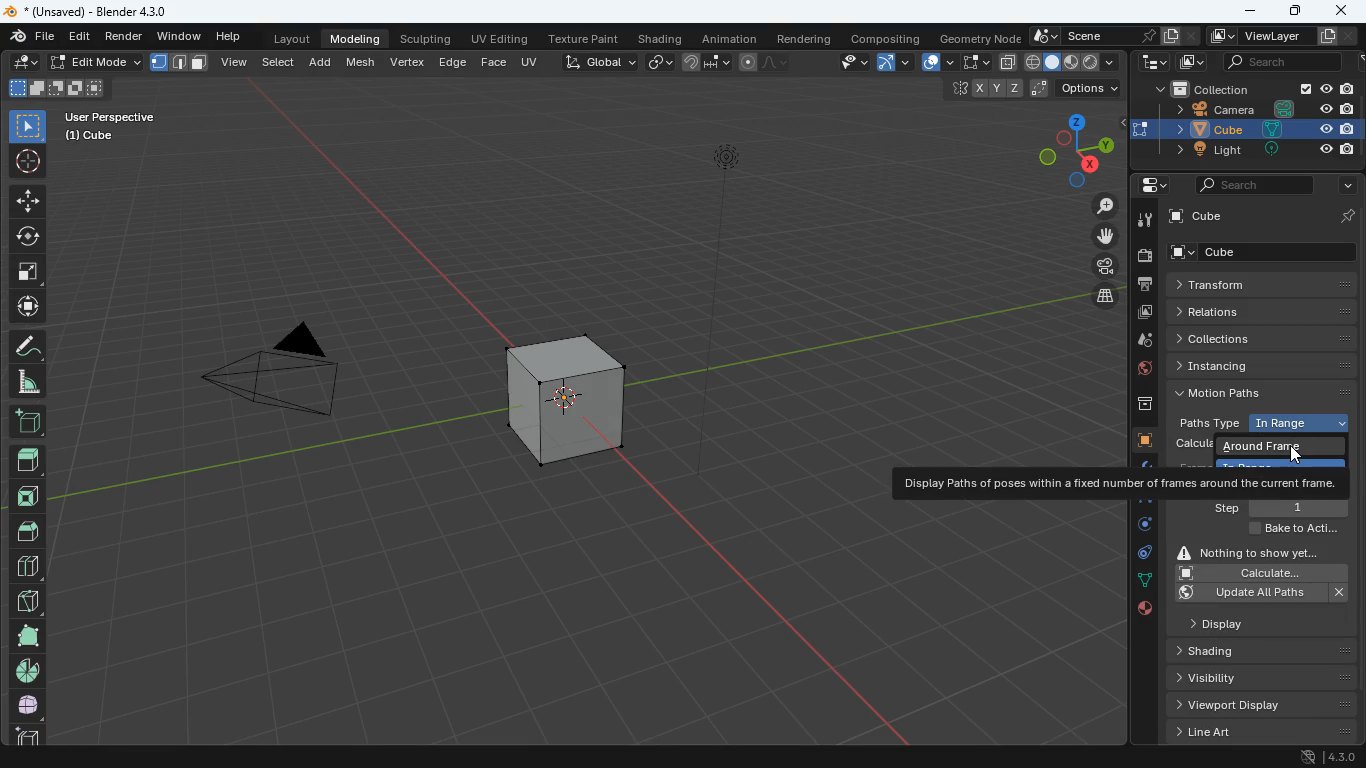 This screenshot has height=768, width=1366. What do you see at coordinates (452, 61) in the screenshot?
I see `edge` at bounding box center [452, 61].